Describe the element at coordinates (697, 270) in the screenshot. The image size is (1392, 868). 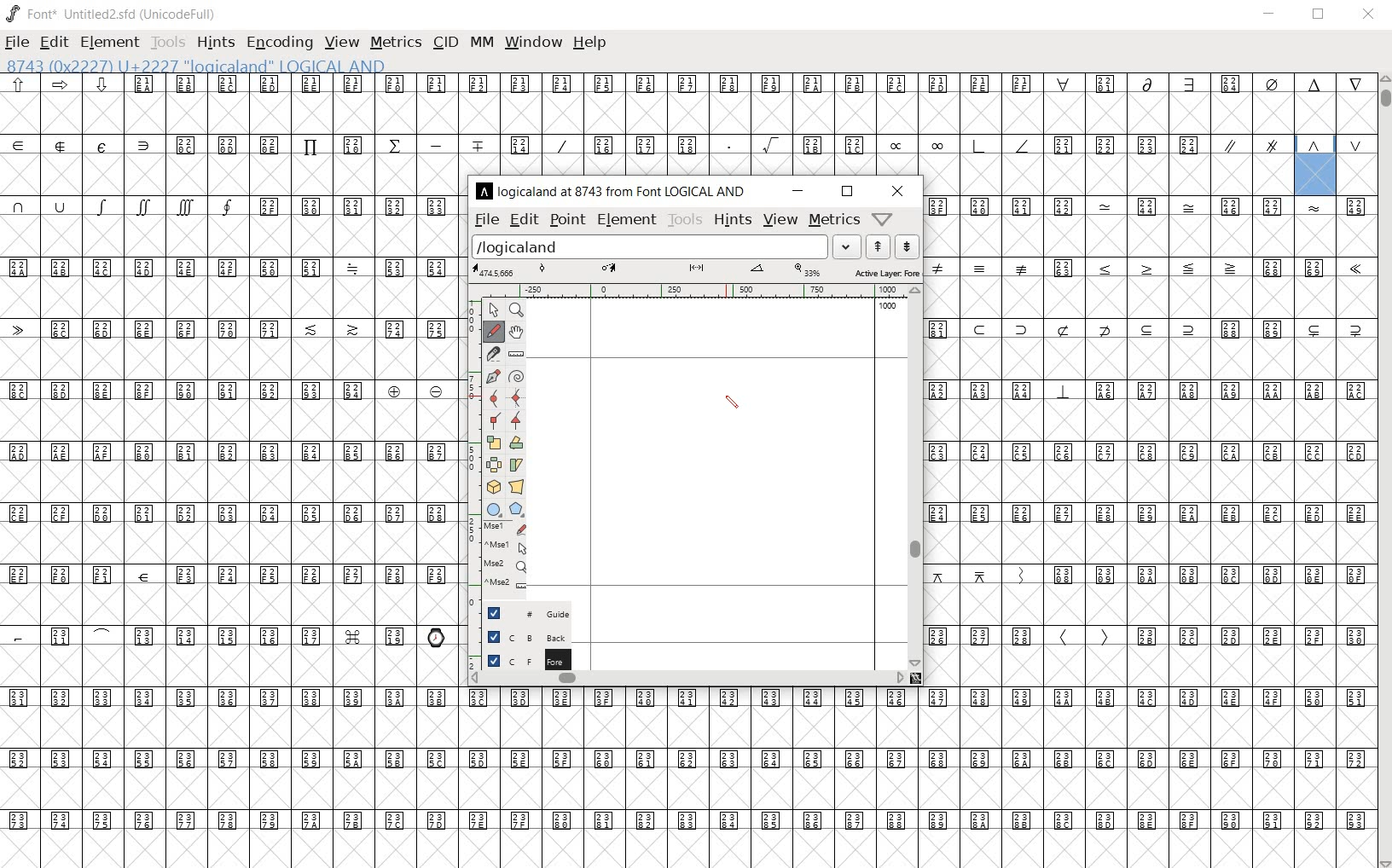
I see `active layer: fore` at that location.